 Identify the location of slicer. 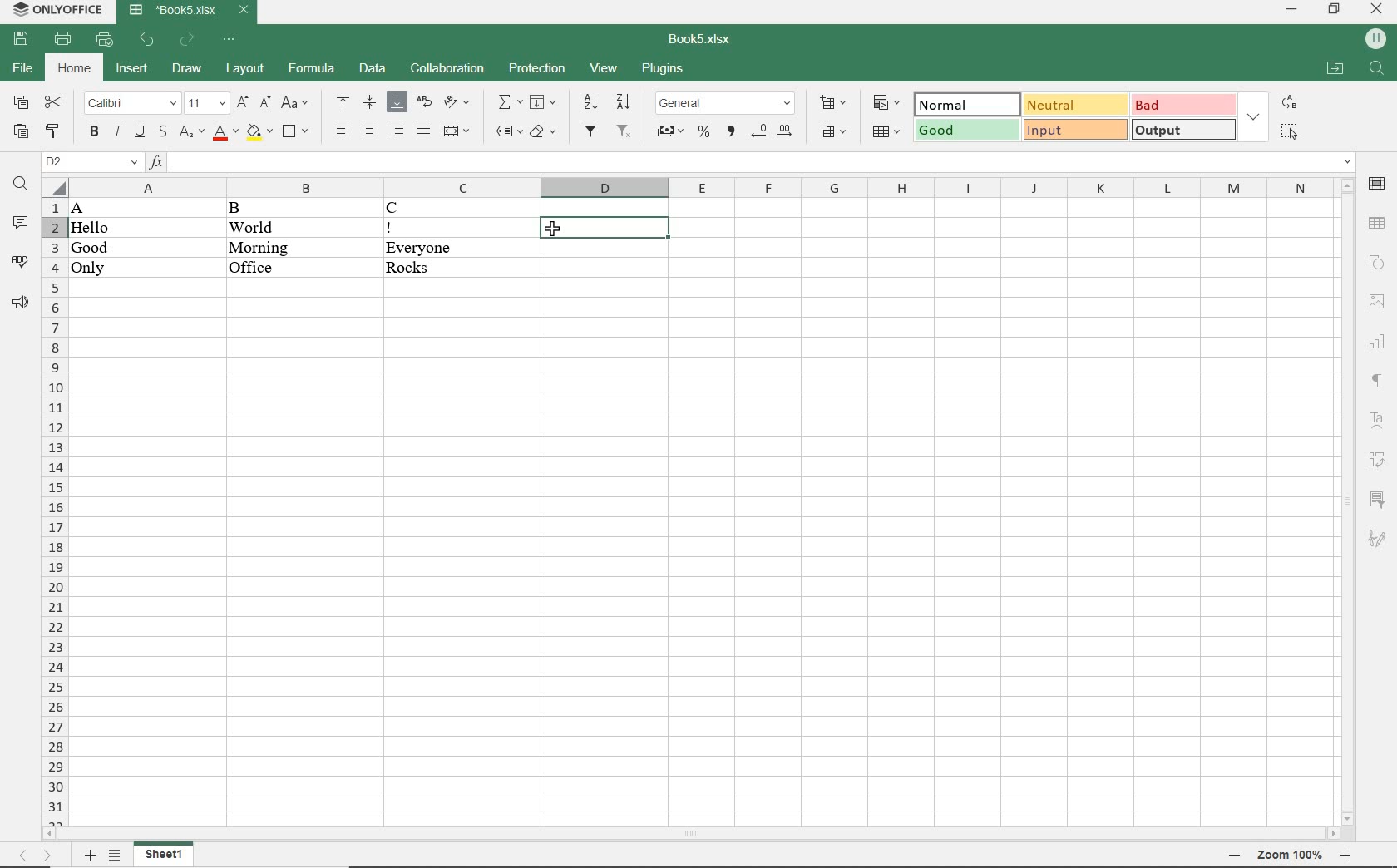
(1376, 498).